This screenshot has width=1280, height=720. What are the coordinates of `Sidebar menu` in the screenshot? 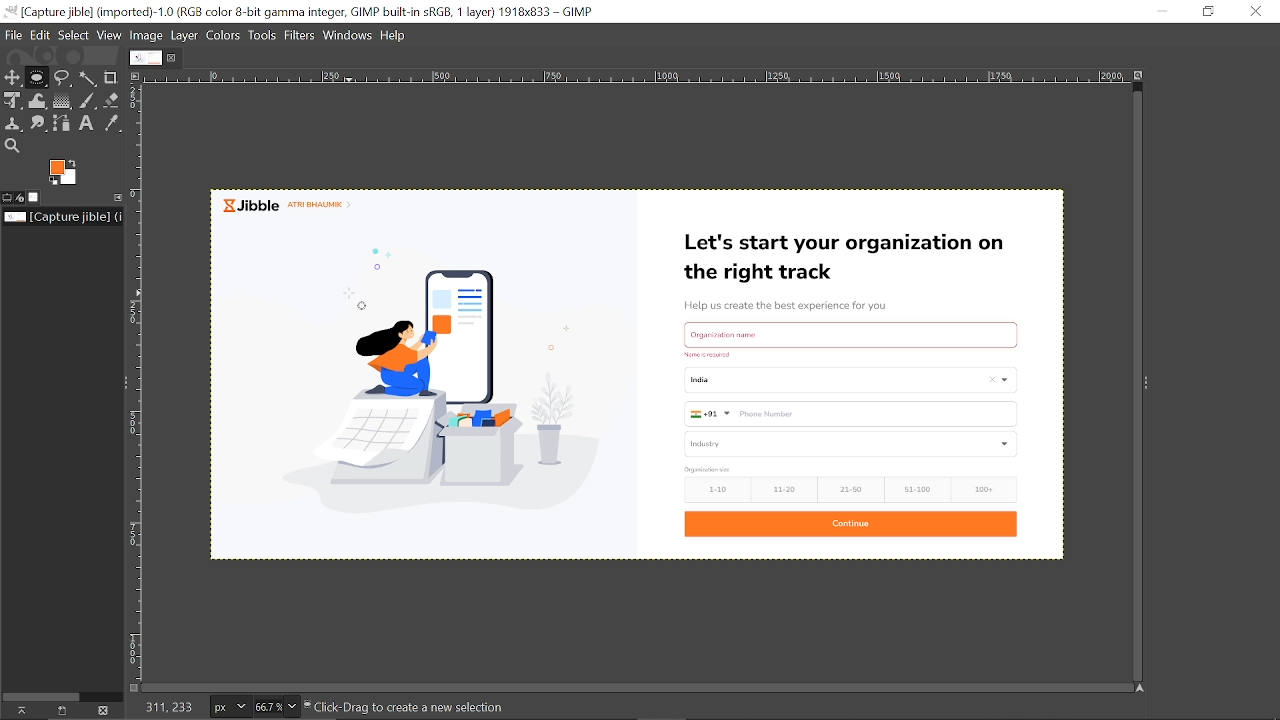 It's located at (120, 381).